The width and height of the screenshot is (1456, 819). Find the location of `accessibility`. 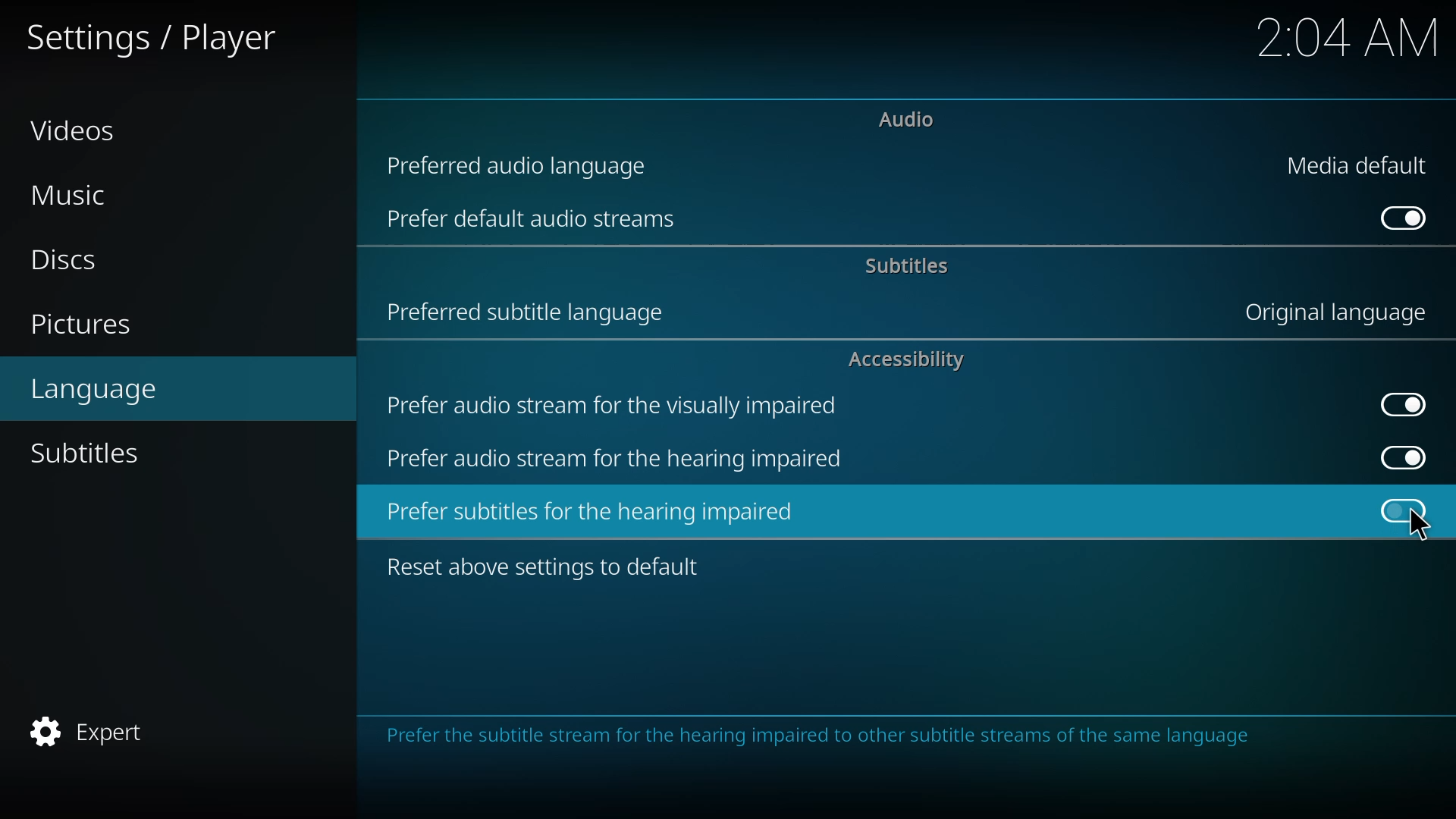

accessibility is located at coordinates (903, 360).